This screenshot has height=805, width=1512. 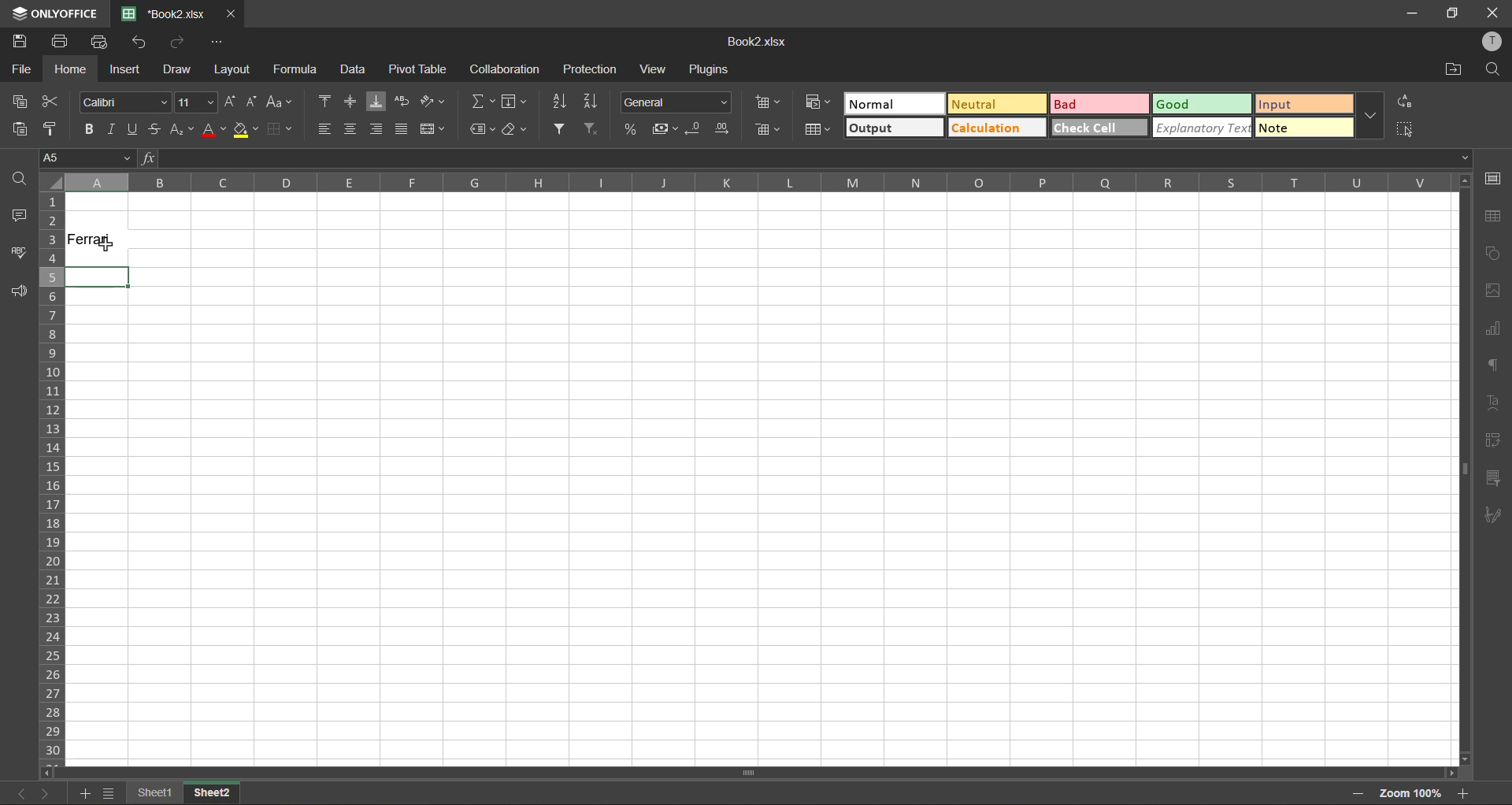 I want to click on file name, so click(x=163, y=13).